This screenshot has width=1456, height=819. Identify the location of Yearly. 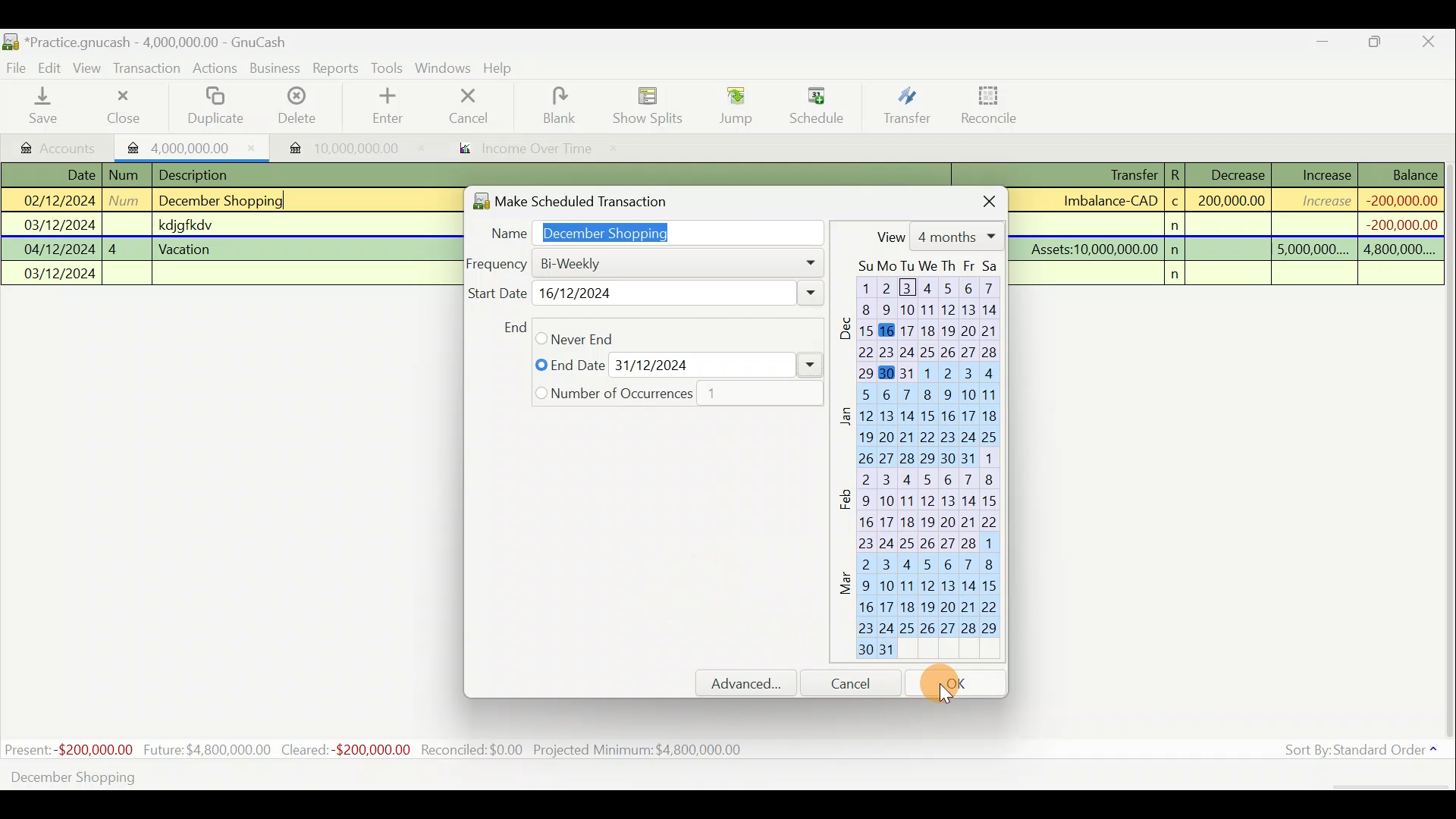
(576, 393).